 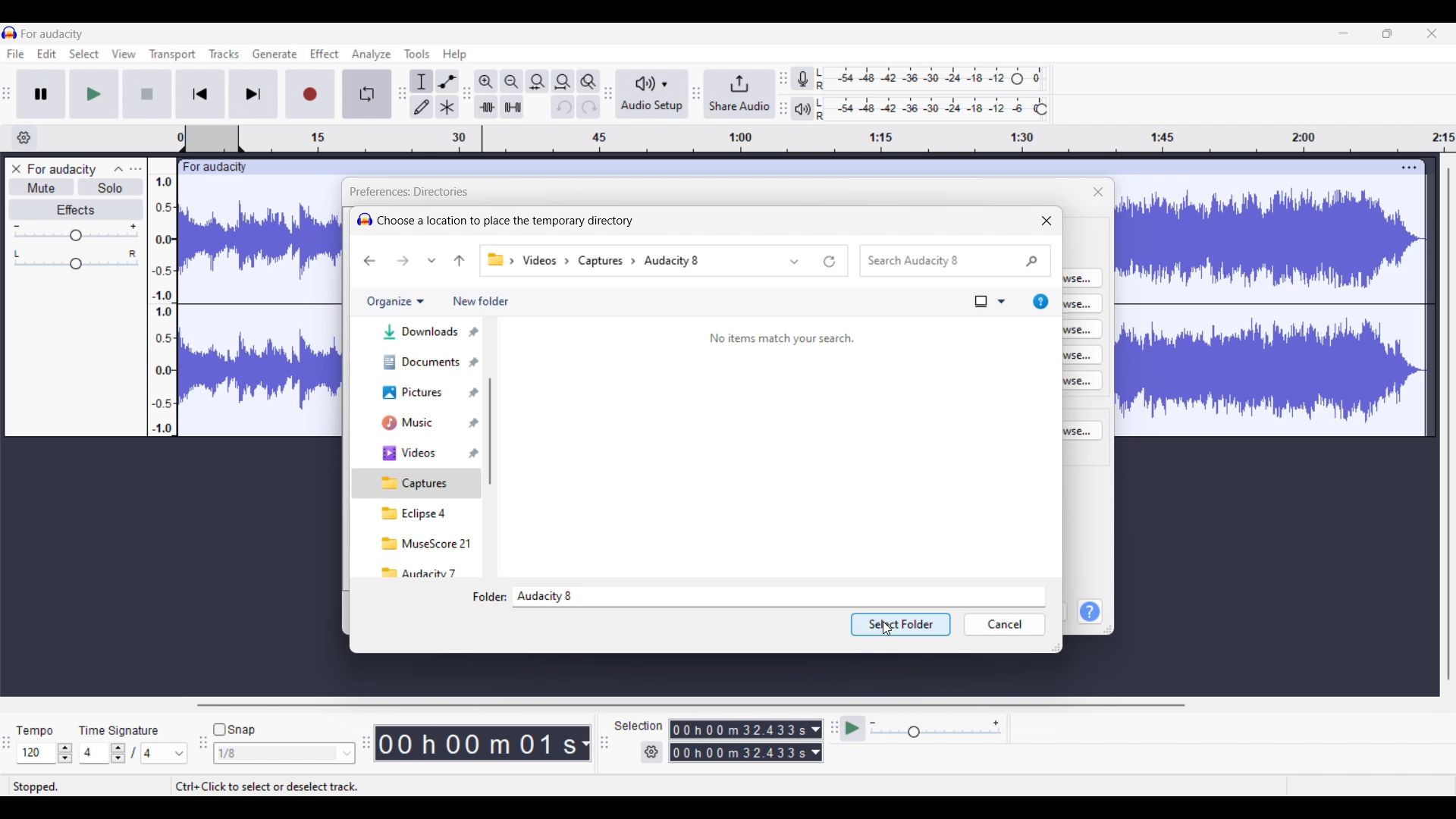 What do you see at coordinates (235, 730) in the screenshot?
I see `Snap toggle` at bounding box center [235, 730].